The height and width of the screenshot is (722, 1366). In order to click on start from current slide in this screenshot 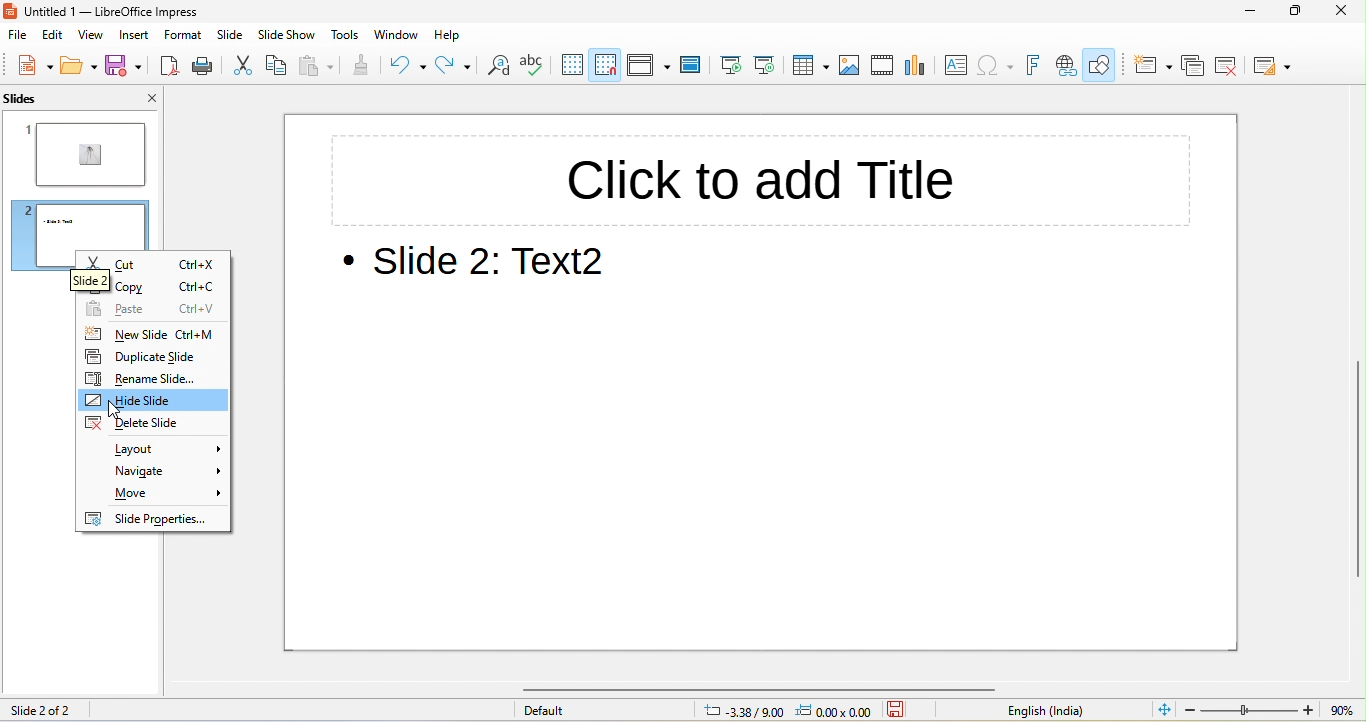, I will do `click(771, 65)`.